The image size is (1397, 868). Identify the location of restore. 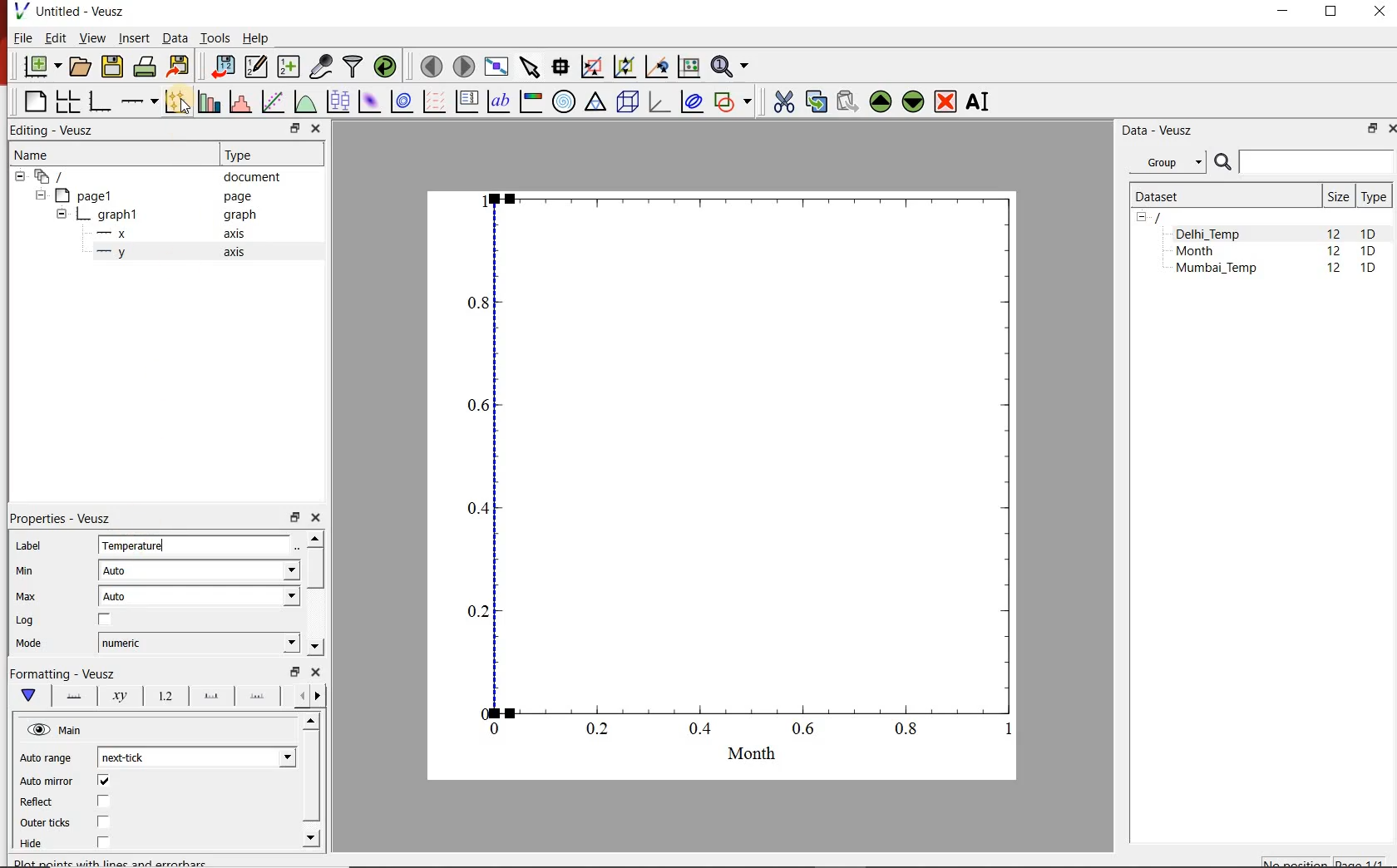
(294, 516).